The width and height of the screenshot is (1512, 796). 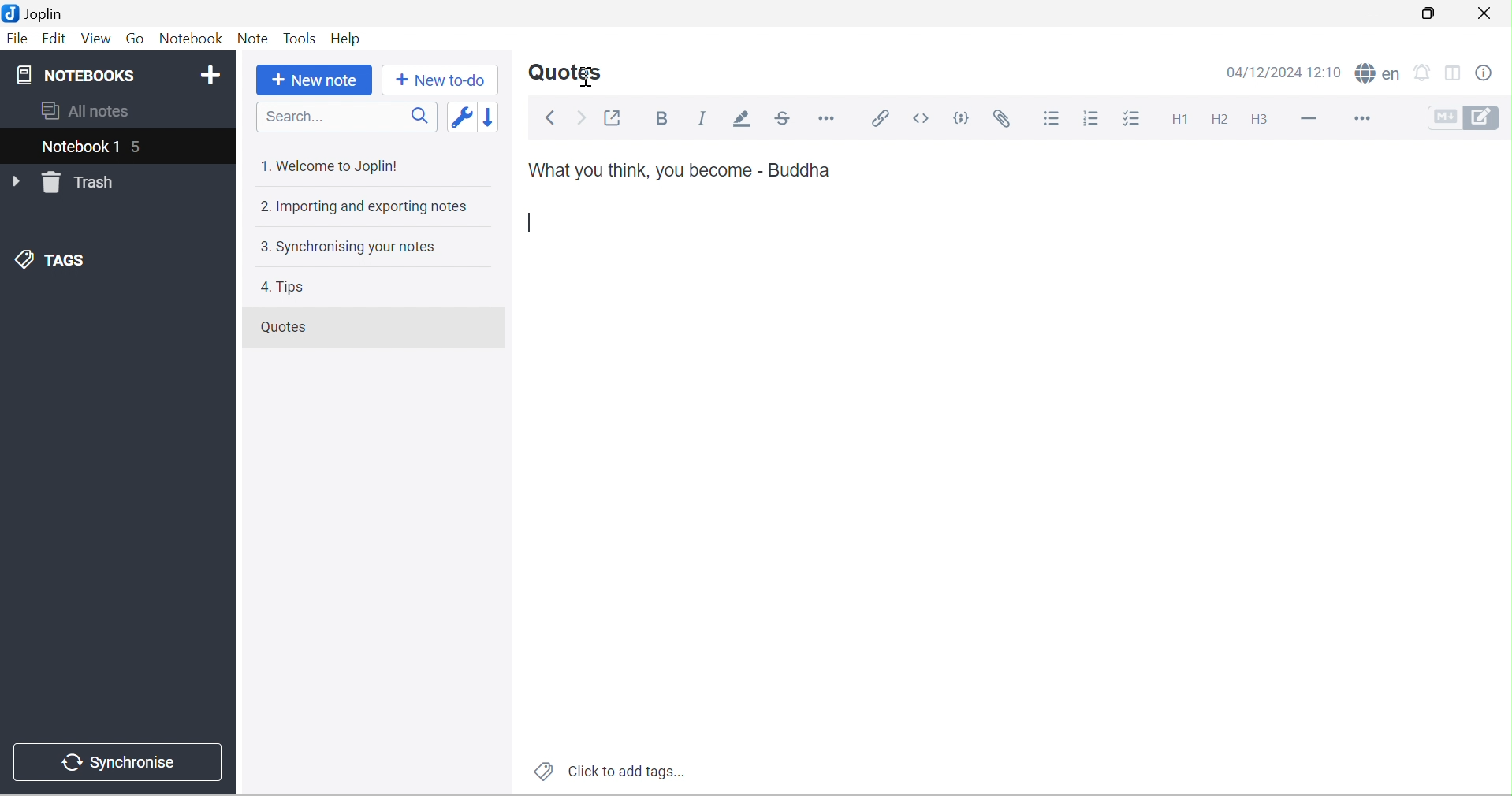 What do you see at coordinates (54, 40) in the screenshot?
I see `Edit` at bounding box center [54, 40].